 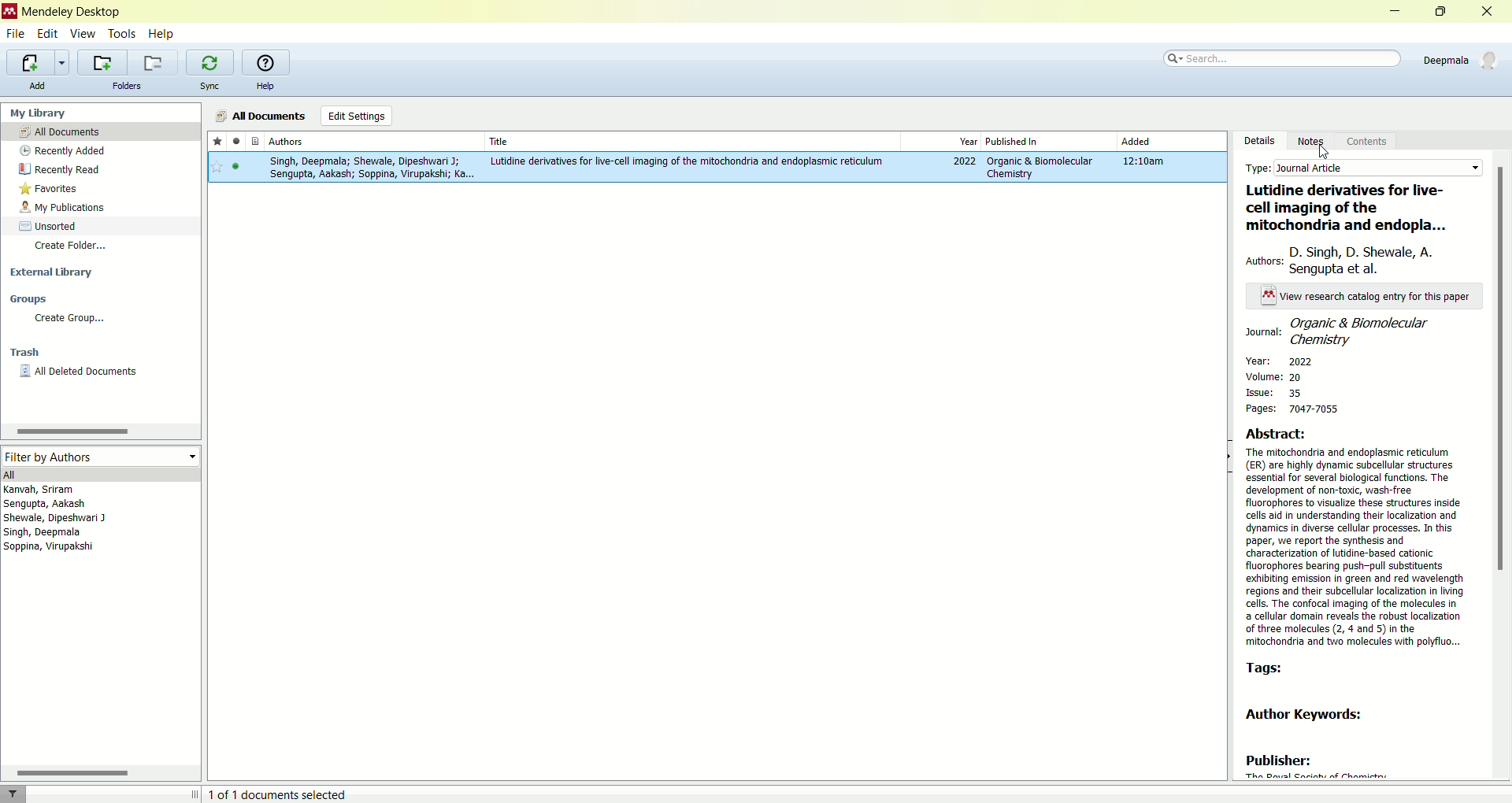 What do you see at coordinates (1367, 296) in the screenshot?
I see `view research catalog for this paper` at bounding box center [1367, 296].